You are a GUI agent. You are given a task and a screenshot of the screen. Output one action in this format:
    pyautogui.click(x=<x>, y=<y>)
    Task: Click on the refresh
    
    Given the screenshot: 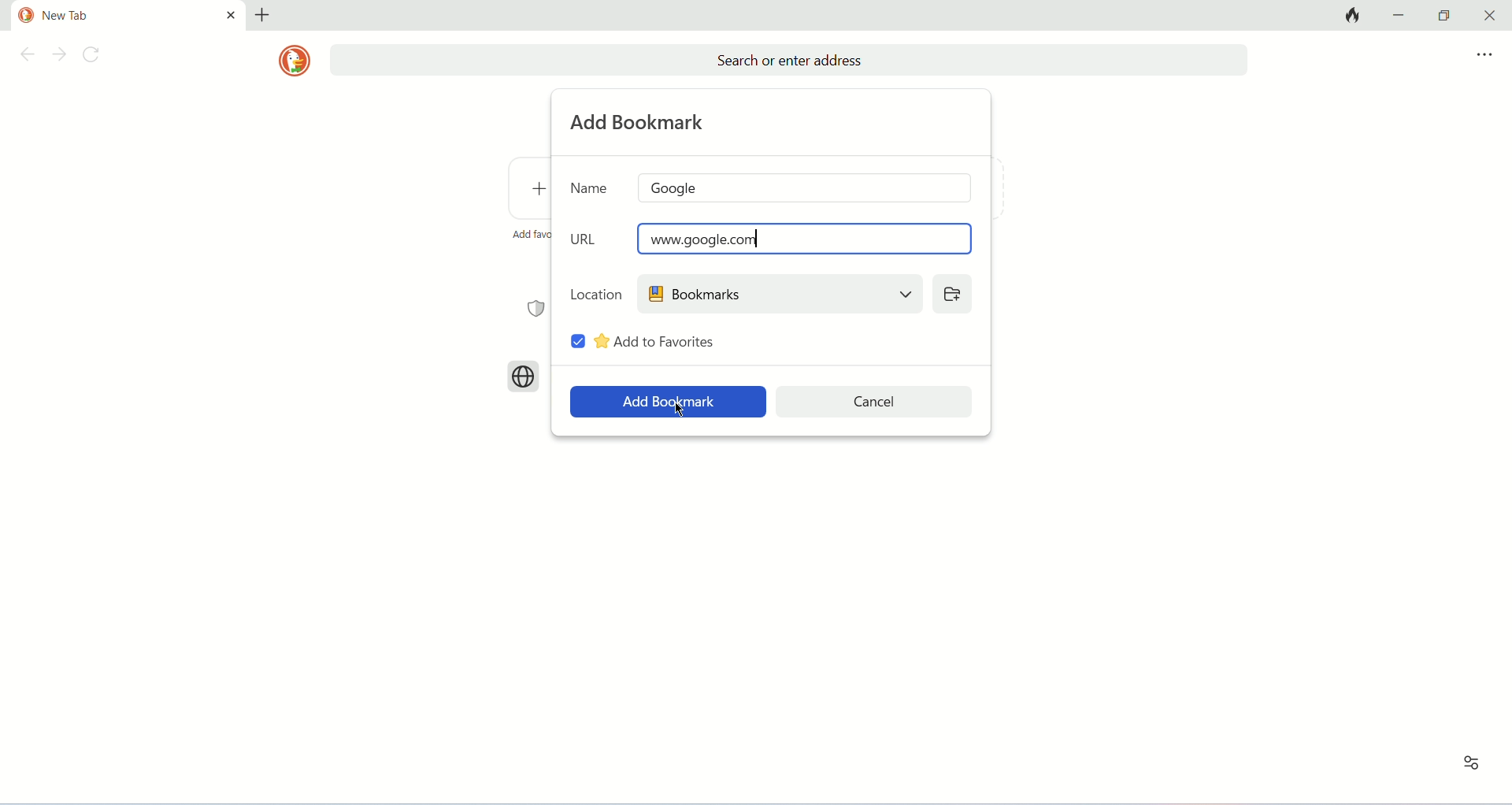 What is the action you would take?
    pyautogui.click(x=95, y=57)
    